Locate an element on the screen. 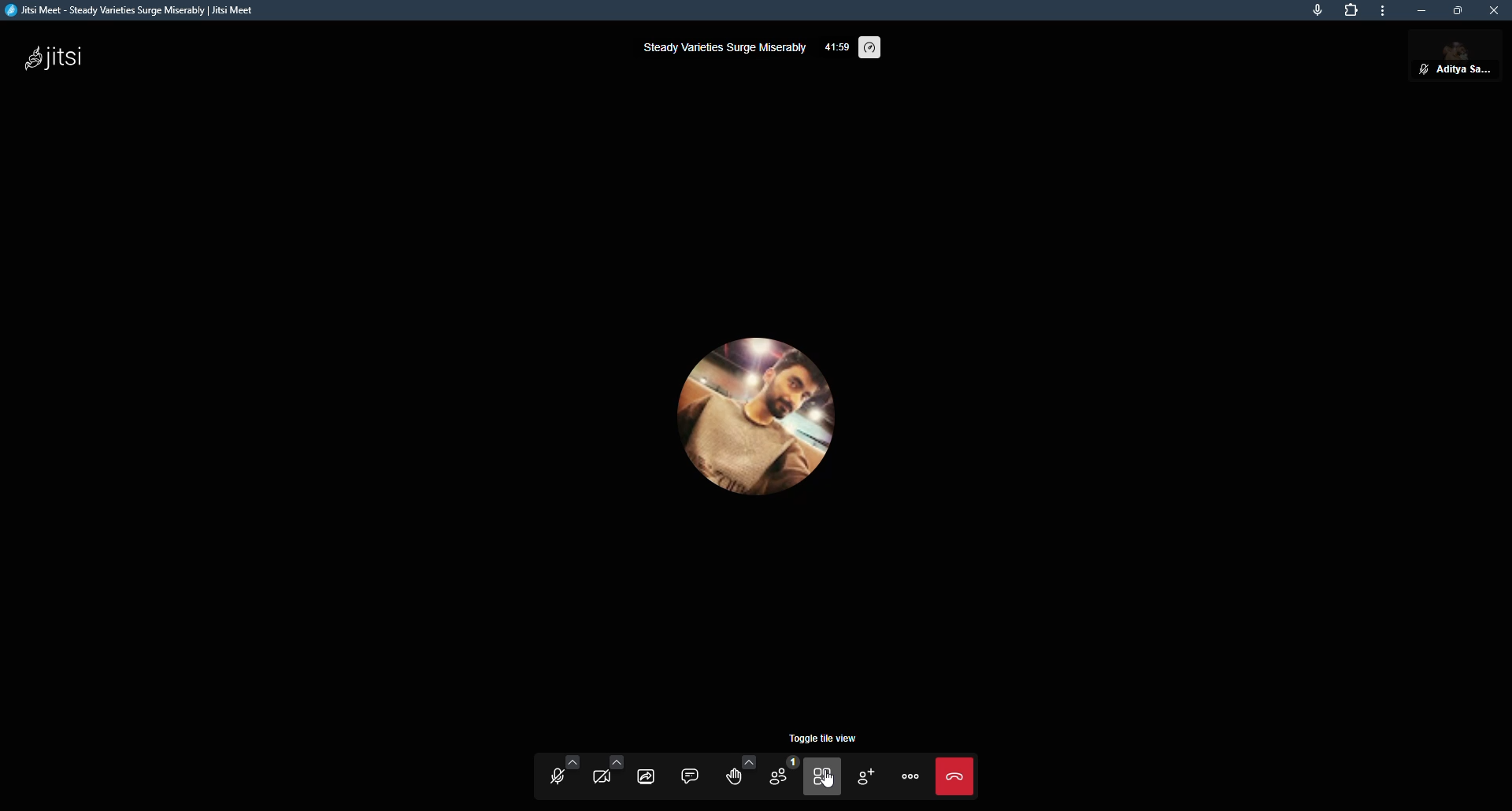 This screenshot has width=1512, height=811. more is located at coordinates (1386, 12).